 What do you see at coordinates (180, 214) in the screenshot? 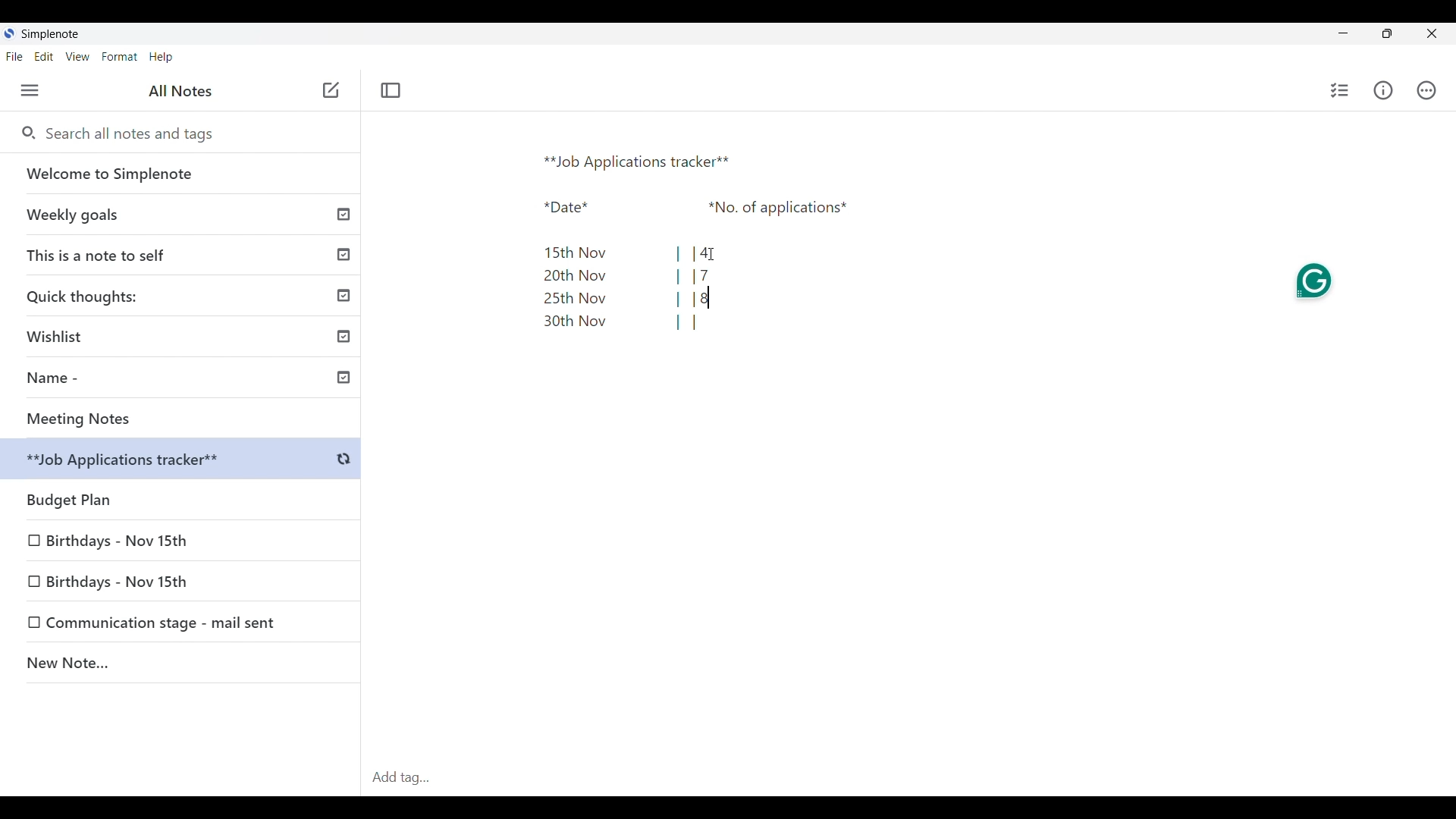
I see `Weekly goals` at bounding box center [180, 214].